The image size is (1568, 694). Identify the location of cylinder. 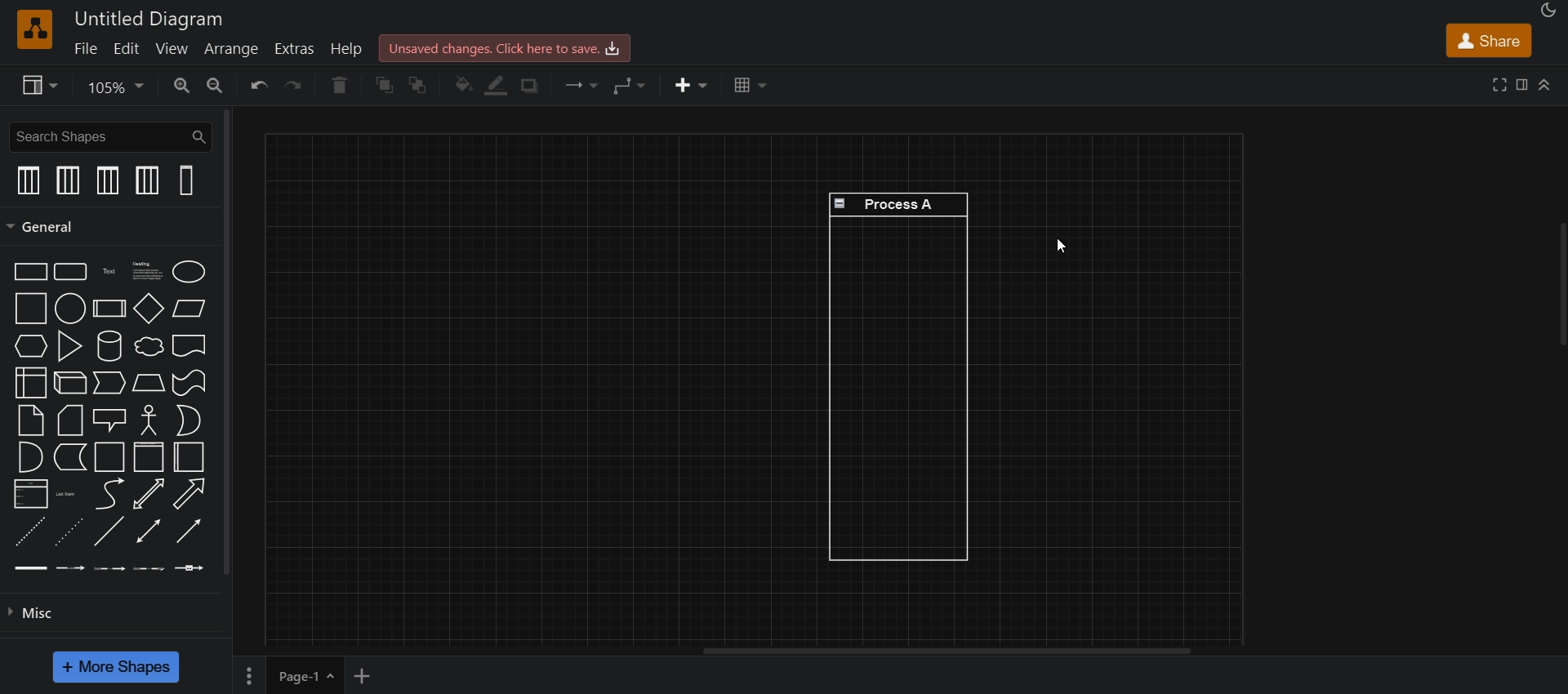
(110, 345).